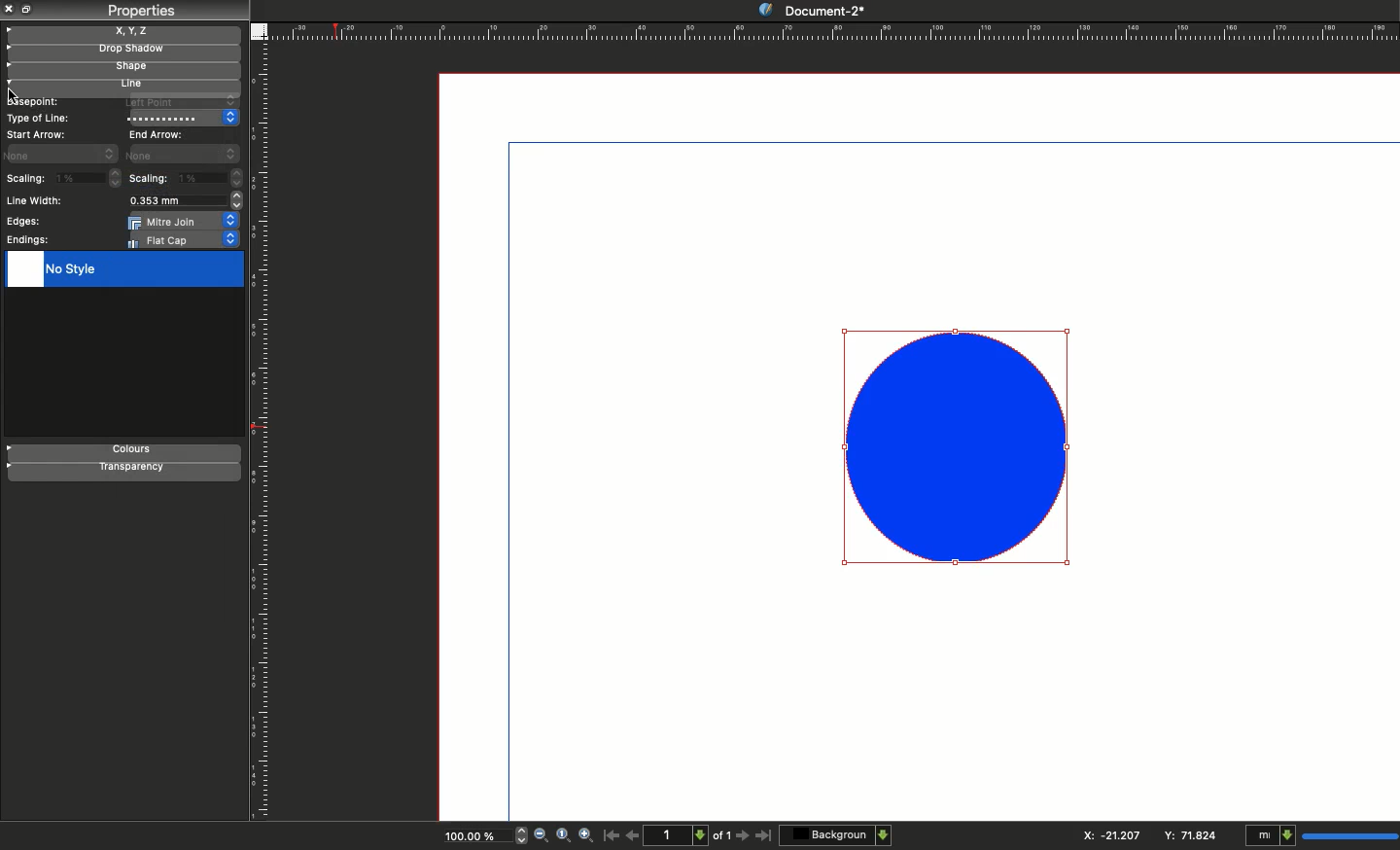 This screenshot has width=1400, height=850. What do you see at coordinates (89, 177) in the screenshot?
I see `1%` at bounding box center [89, 177].